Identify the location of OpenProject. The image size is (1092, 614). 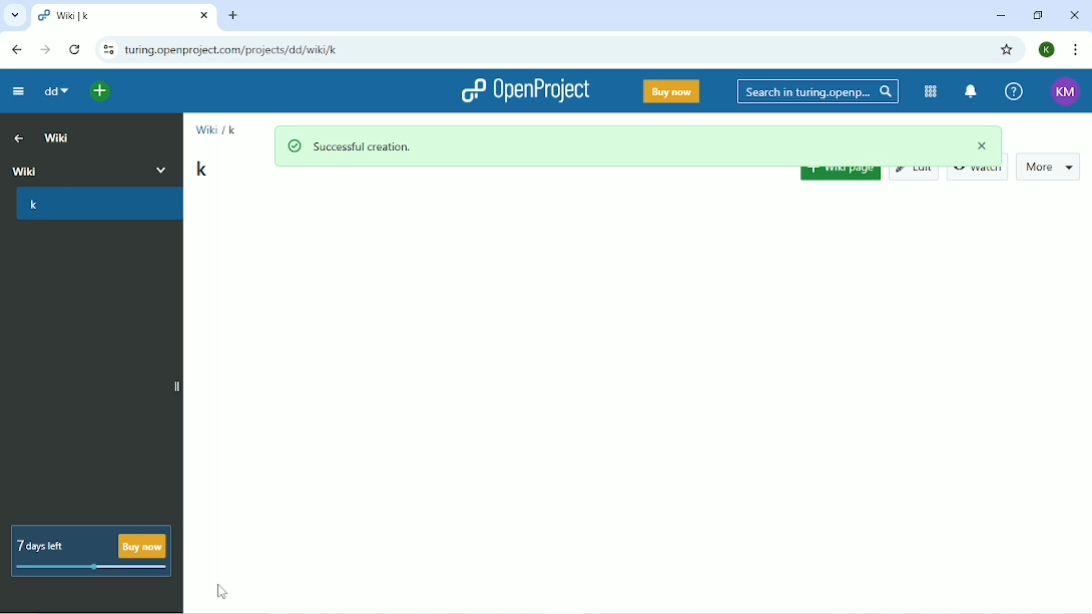
(525, 90).